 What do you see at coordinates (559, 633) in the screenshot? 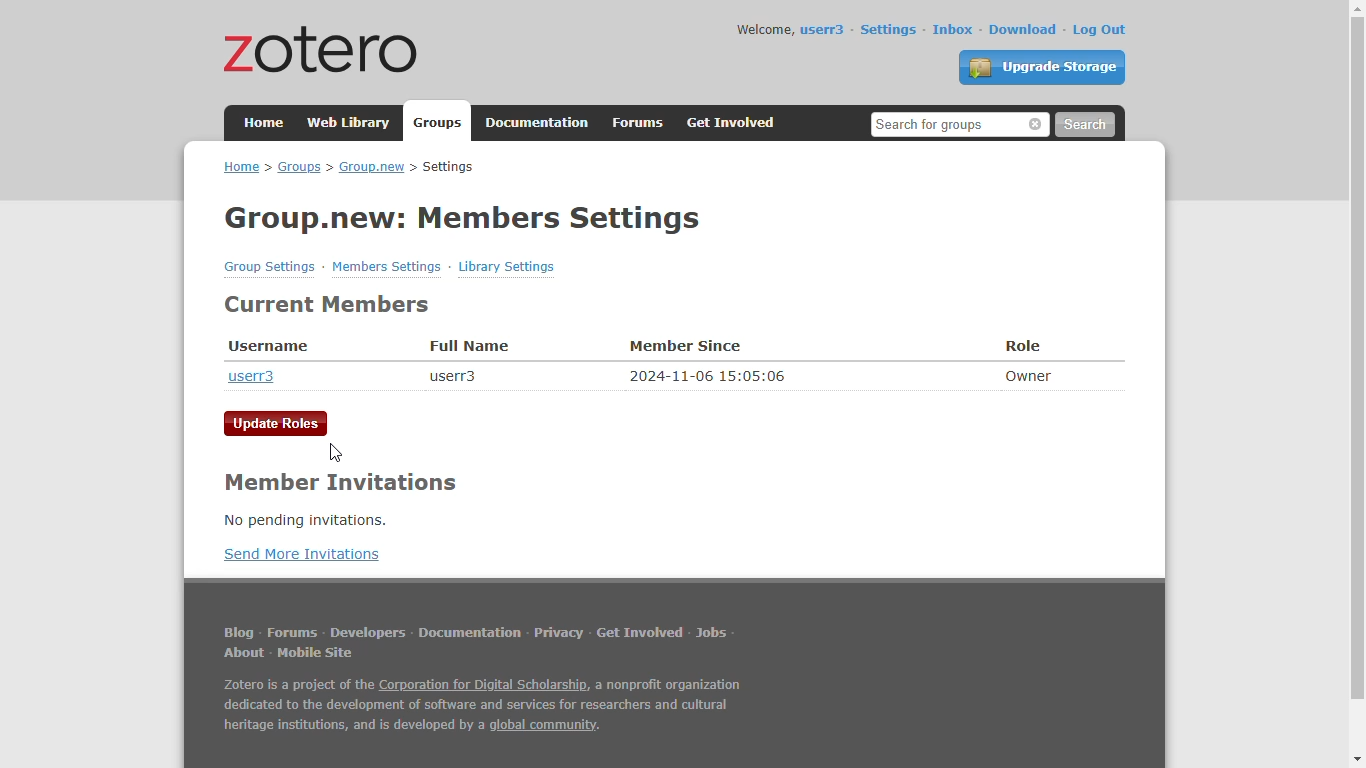
I see `privacy` at bounding box center [559, 633].